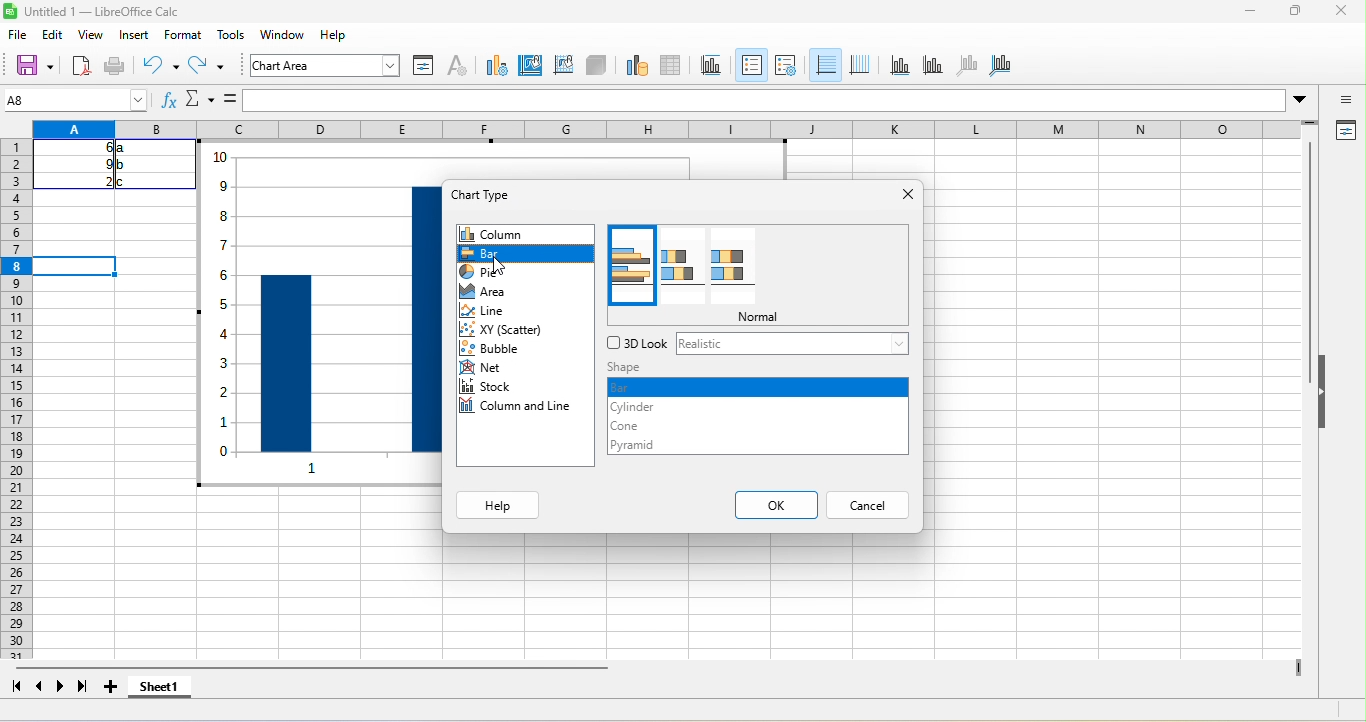 The width and height of the screenshot is (1366, 722). What do you see at coordinates (502, 505) in the screenshot?
I see `help` at bounding box center [502, 505].